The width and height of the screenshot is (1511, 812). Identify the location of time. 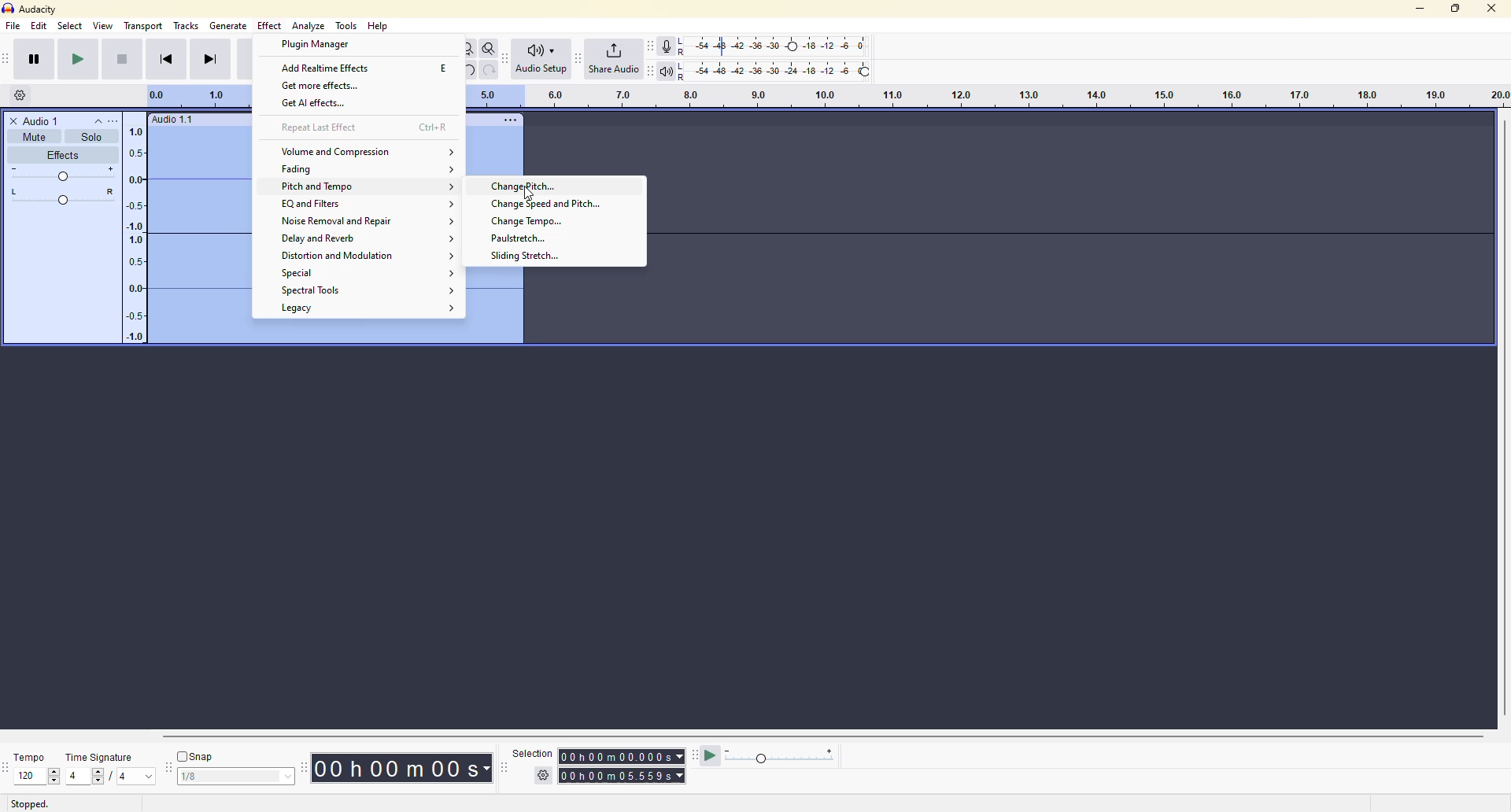
(621, 757).